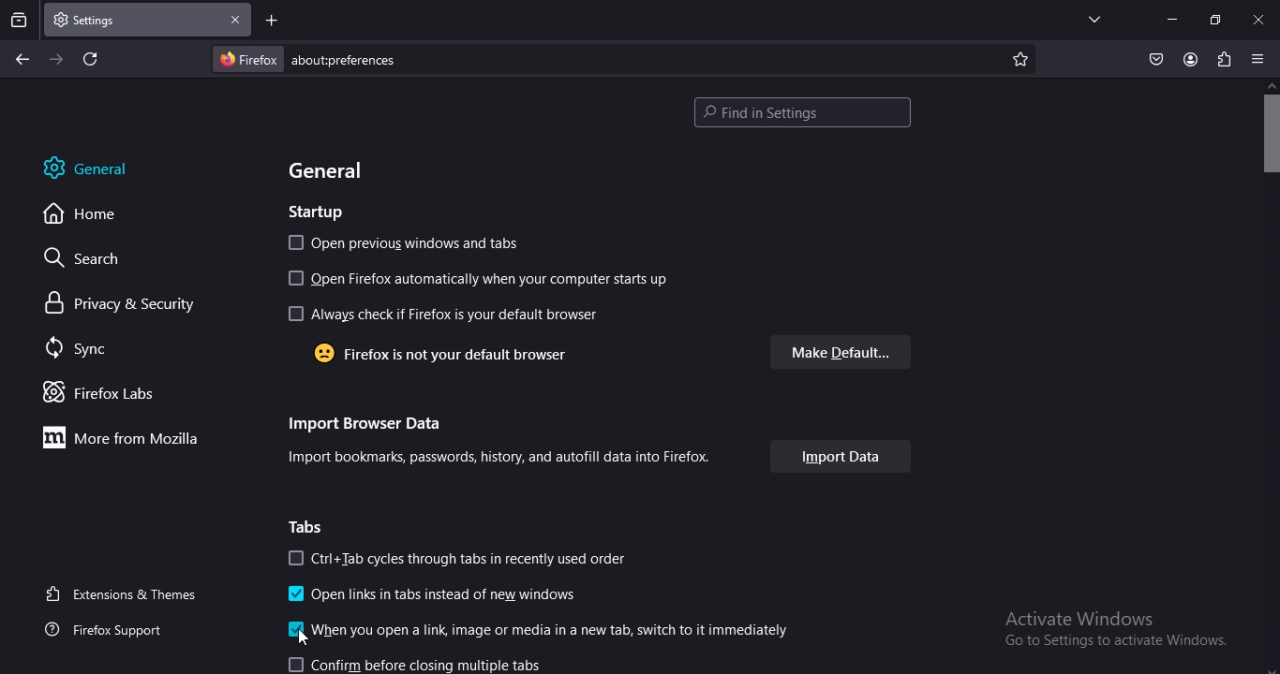 The width and height of the screenshot is (1280, 674). Describe the element at coordinates (411, 244) in the screenshot. I see `open previous windows and tabs` at that location.